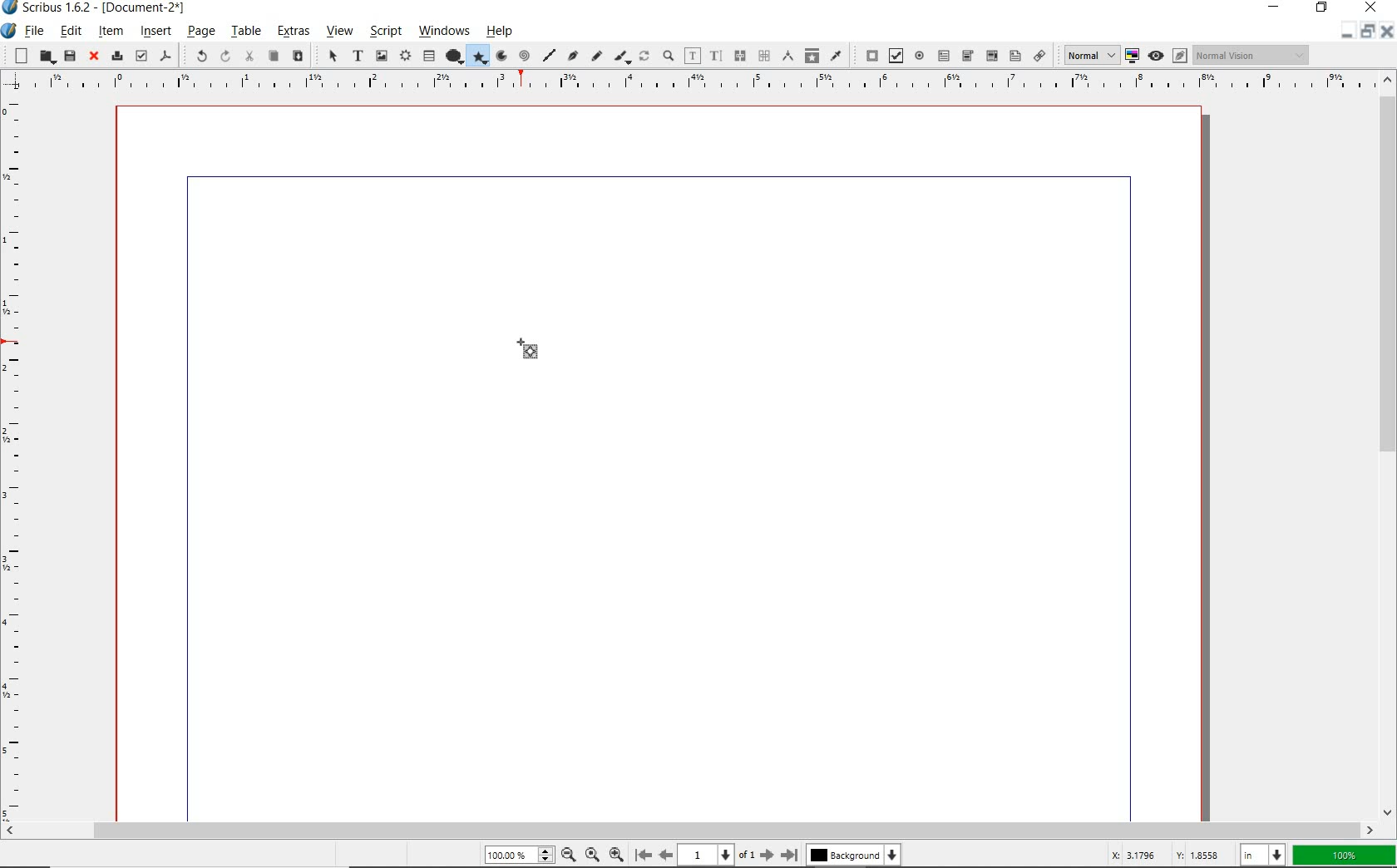 This screenshot has width=1397, height=868. I want to click on scrollbar, so click(689, 831).